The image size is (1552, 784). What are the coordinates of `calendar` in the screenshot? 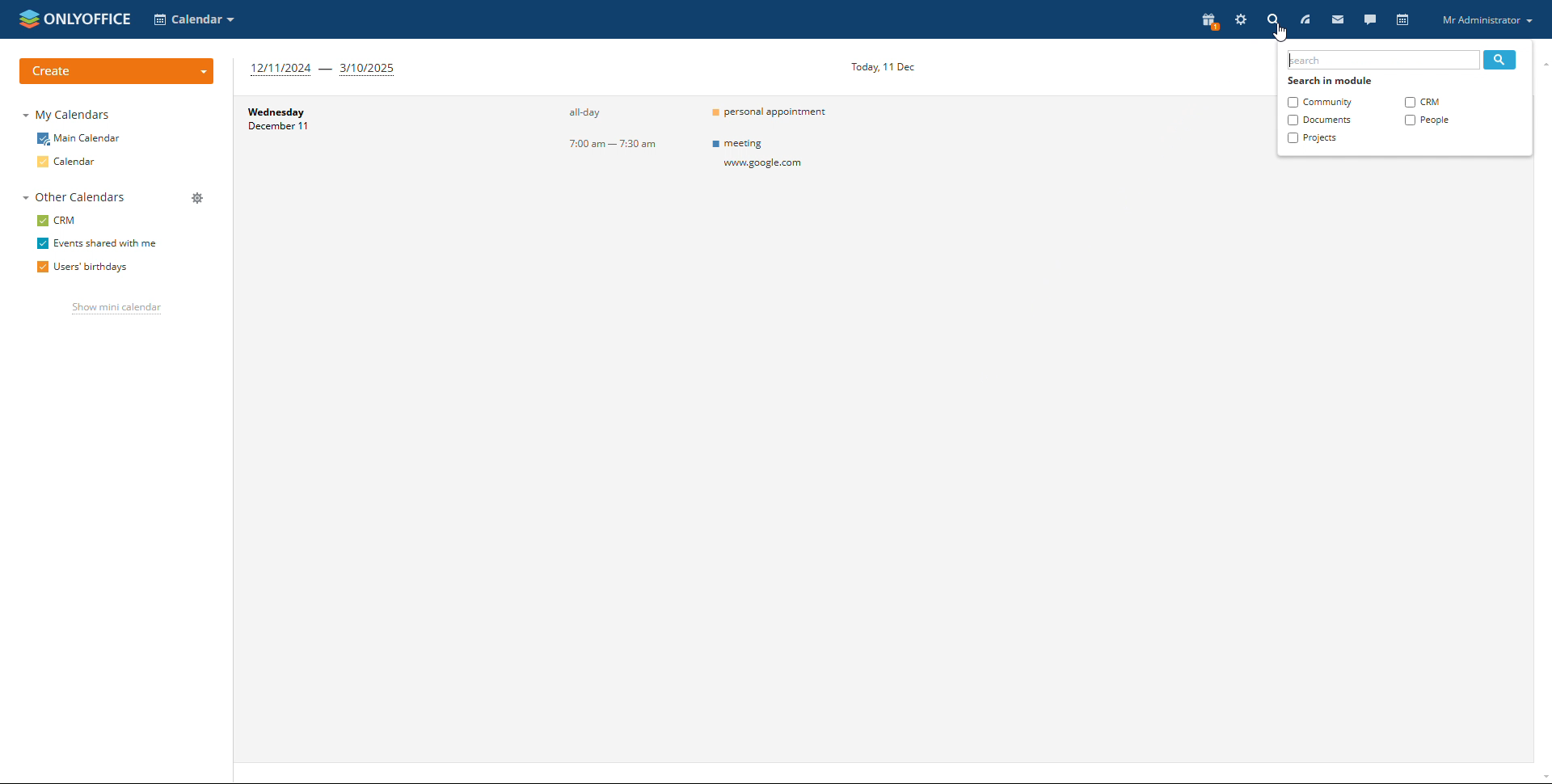 It's located at (70, 162).